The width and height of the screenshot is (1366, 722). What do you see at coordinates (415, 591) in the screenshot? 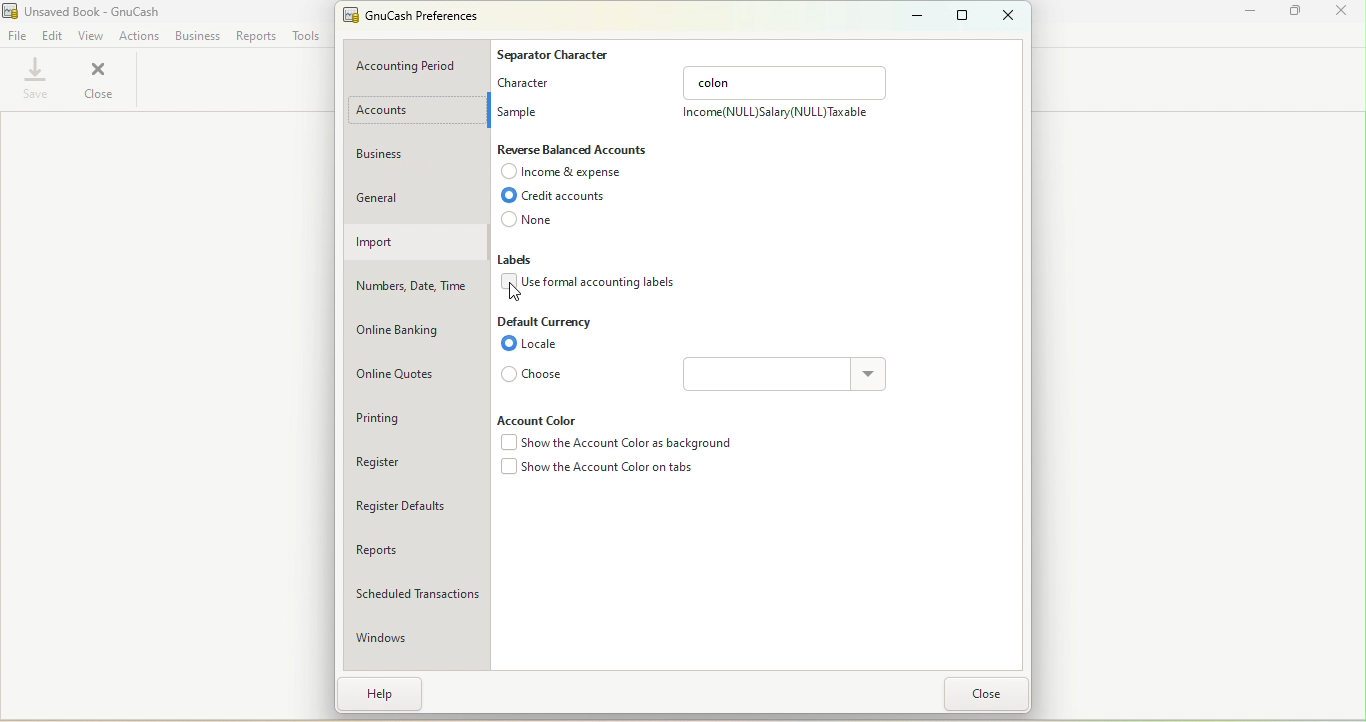
I see `Scheduled transactions` at bounding box center [415, 591].